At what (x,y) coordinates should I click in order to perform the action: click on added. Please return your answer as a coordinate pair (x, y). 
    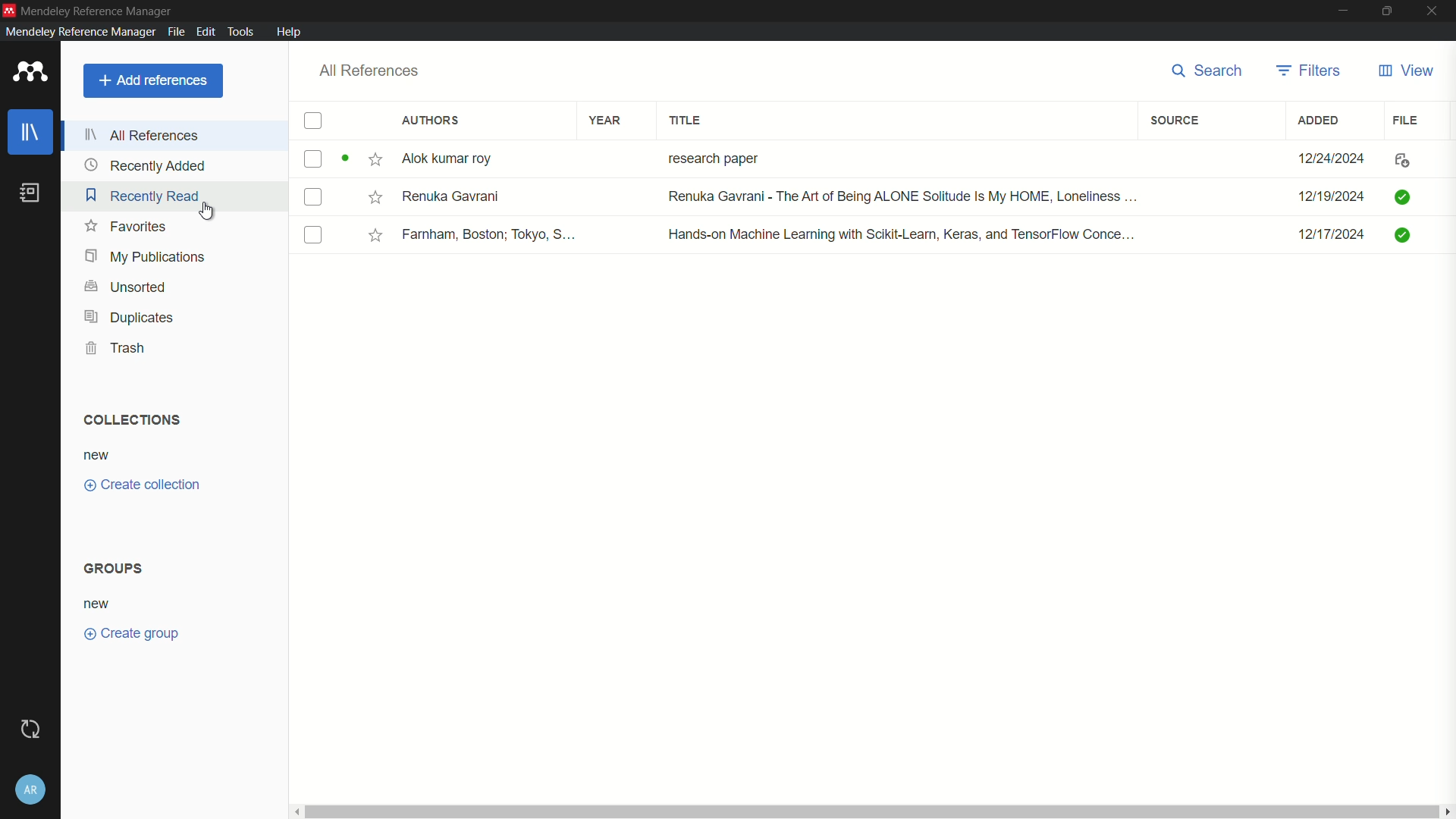
    Looking at the image, I should click on (1321, 120).